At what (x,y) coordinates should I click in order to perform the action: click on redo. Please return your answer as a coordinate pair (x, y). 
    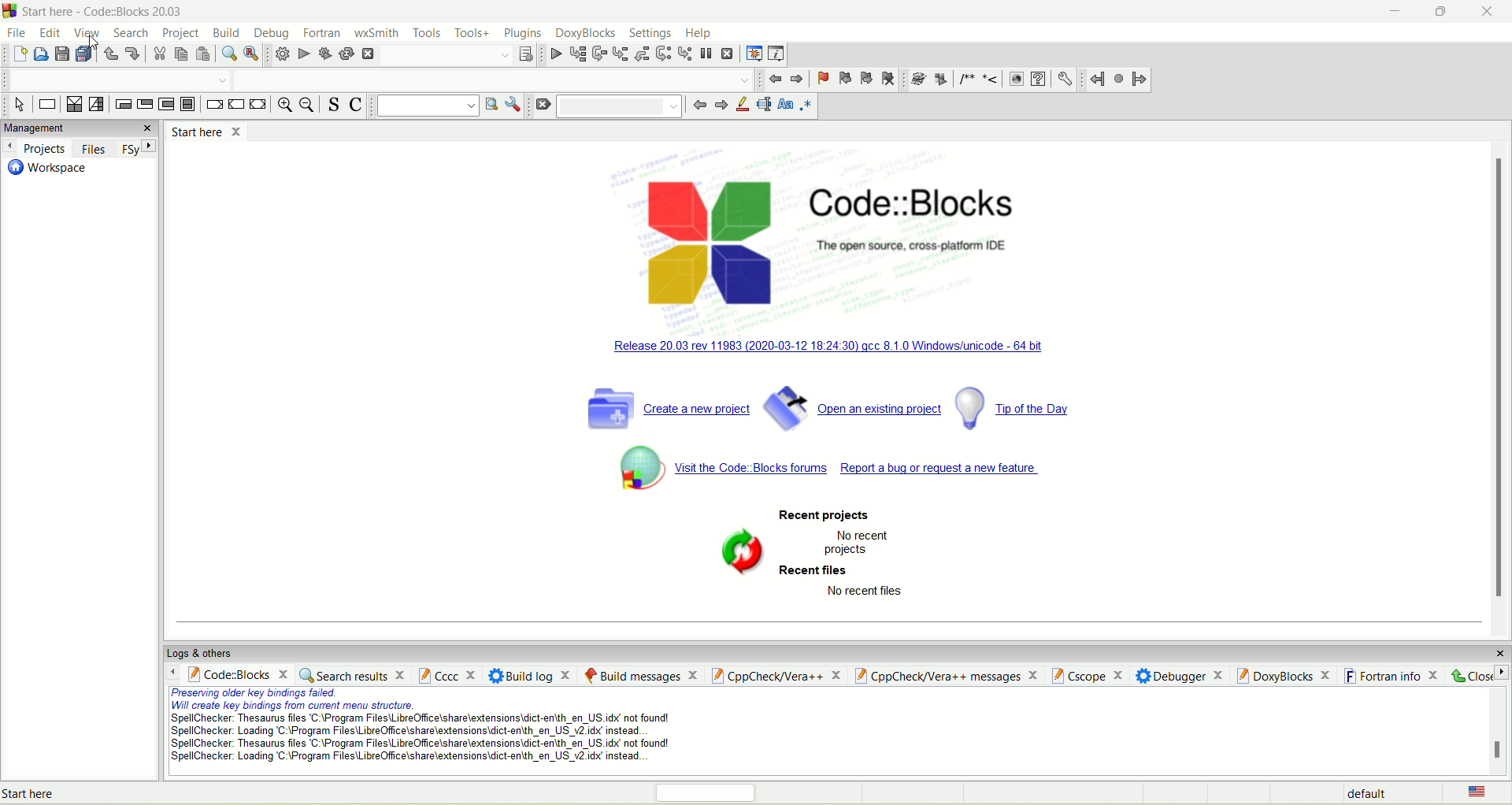
    Looking at the image, I should click on (132, 55).